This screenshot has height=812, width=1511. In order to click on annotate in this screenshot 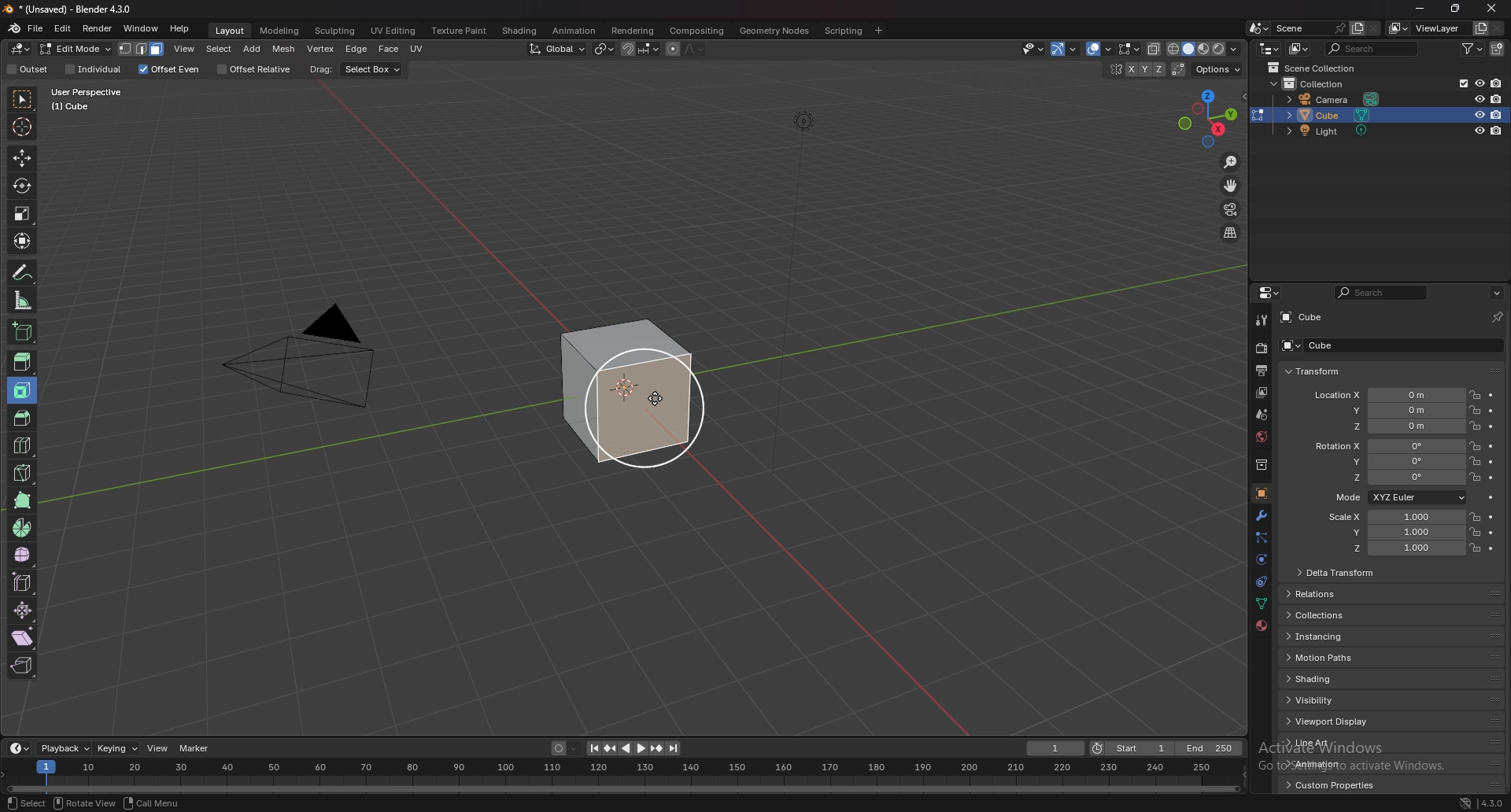, I will do `click(24, 272)`.